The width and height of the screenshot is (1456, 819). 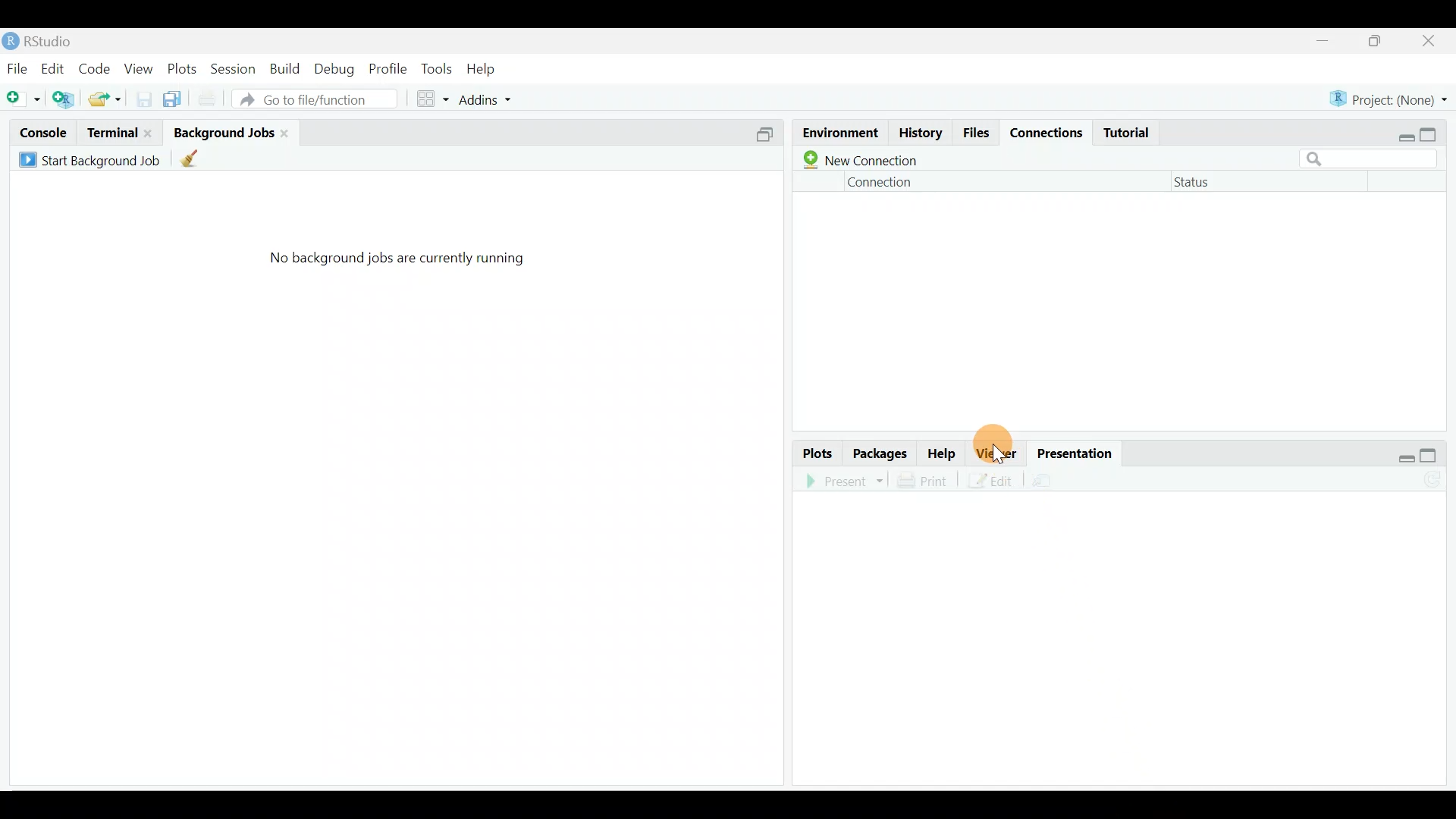 I want to click on History, so click(x=920, y=135).